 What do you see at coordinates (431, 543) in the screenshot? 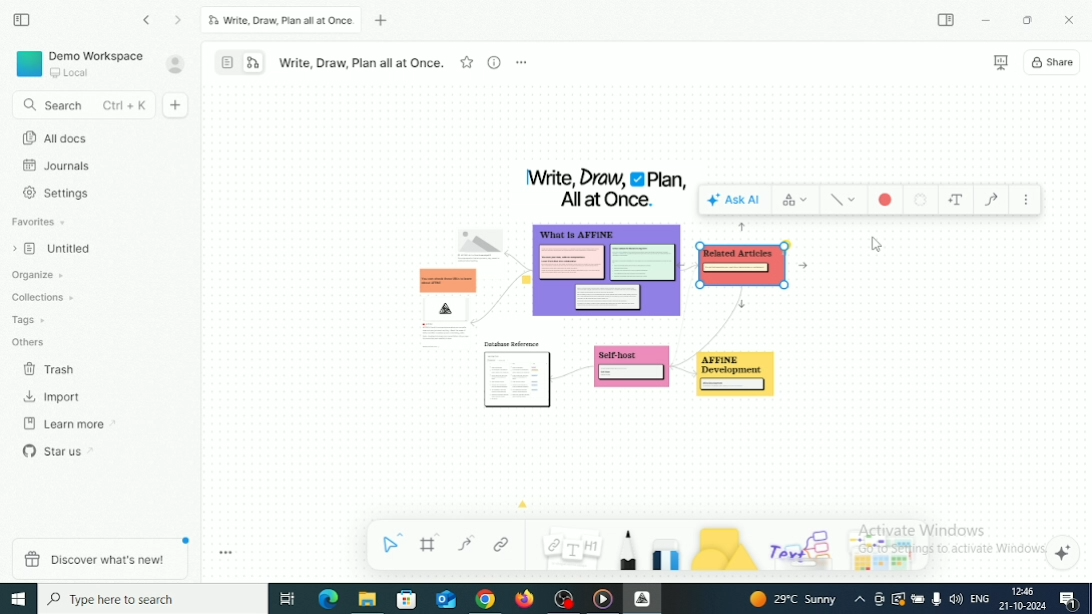
I see `Frame` at bounding box center [431, 543].